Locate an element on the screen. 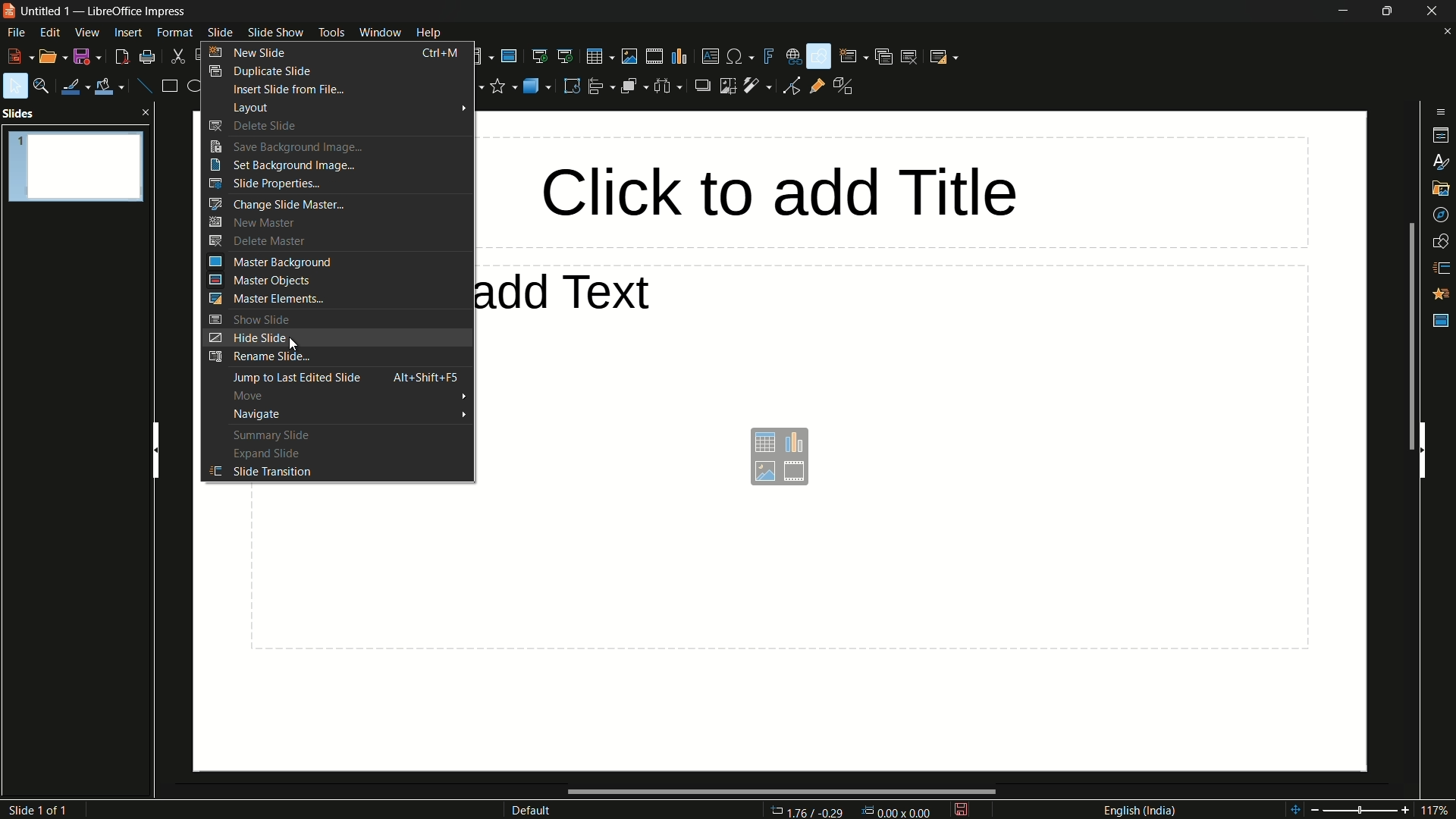 This screenshot has width=1456, height=819. delete slide is located at coordinates (253, 125).